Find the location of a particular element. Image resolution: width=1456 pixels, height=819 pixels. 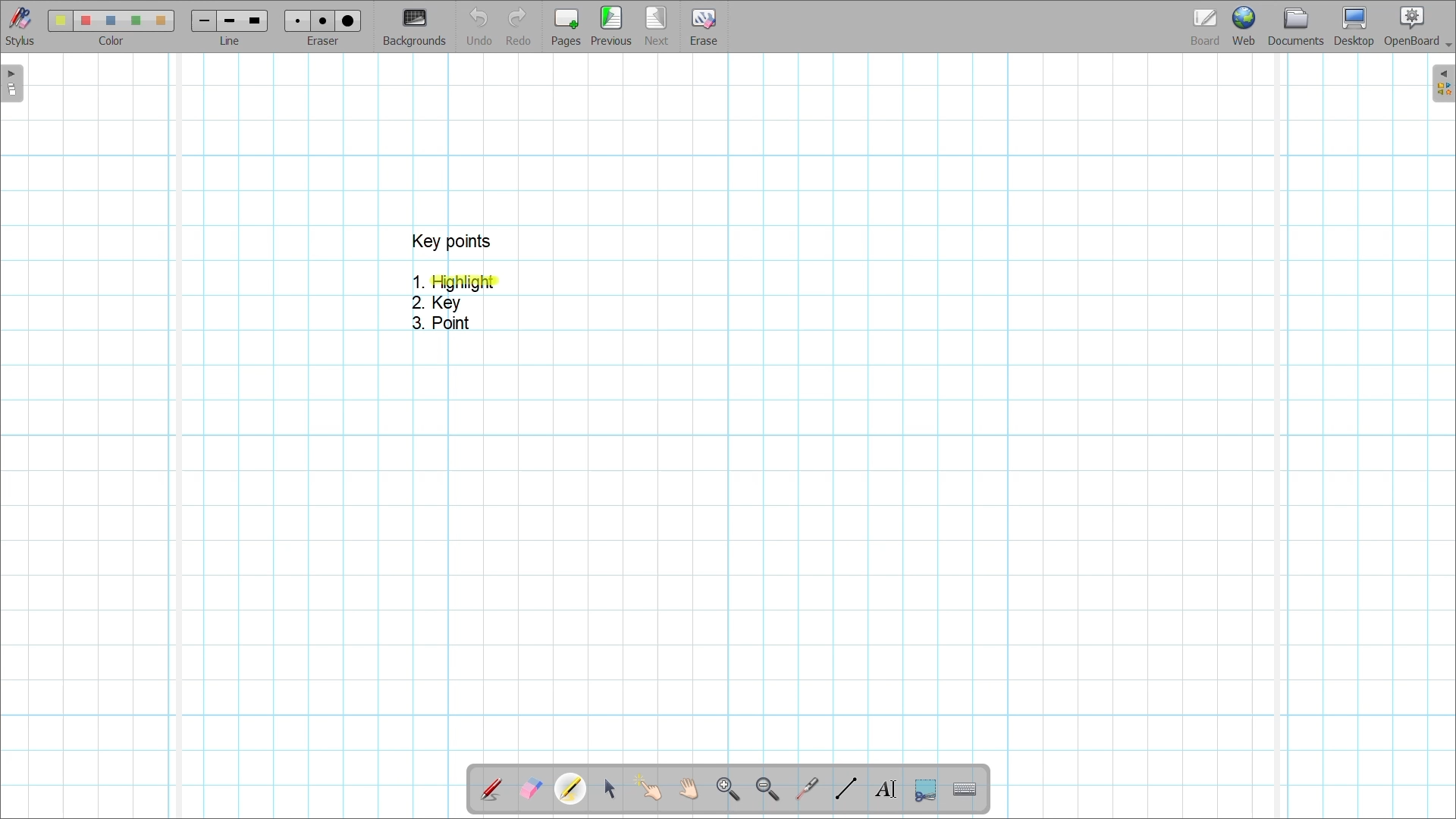

color4 is located at coordinates (135, 20).